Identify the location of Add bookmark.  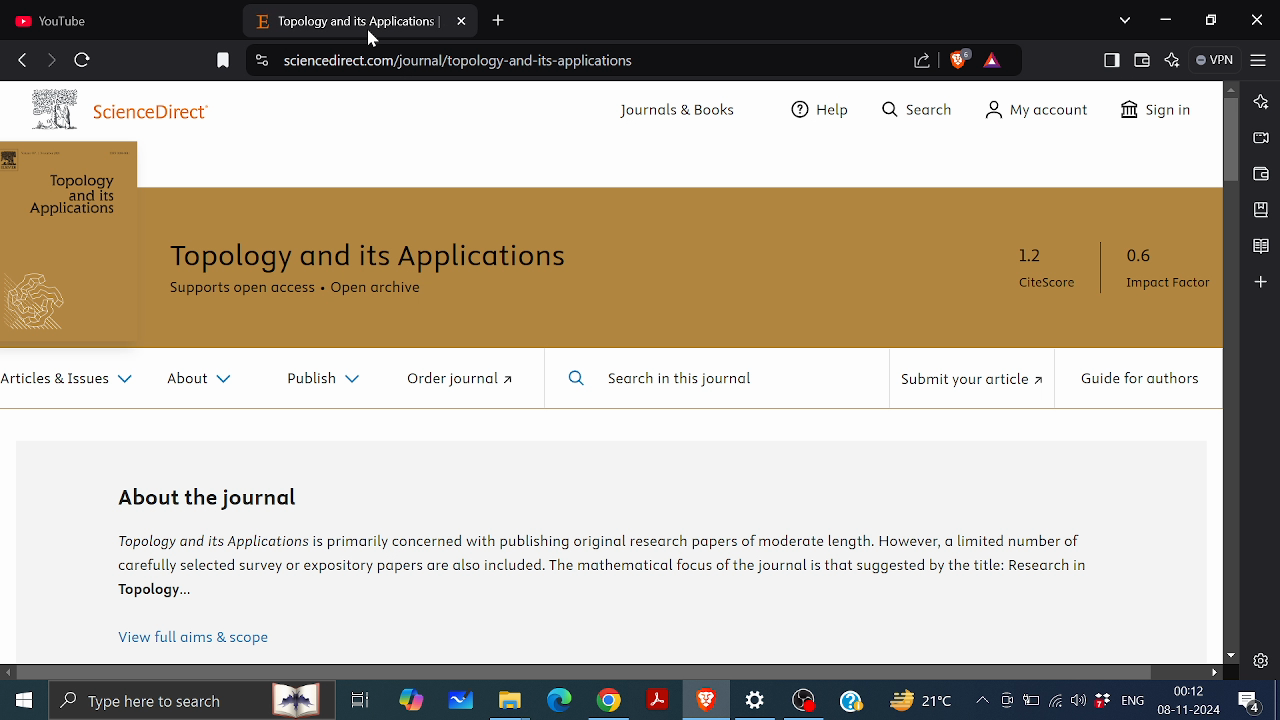
(224, 61).